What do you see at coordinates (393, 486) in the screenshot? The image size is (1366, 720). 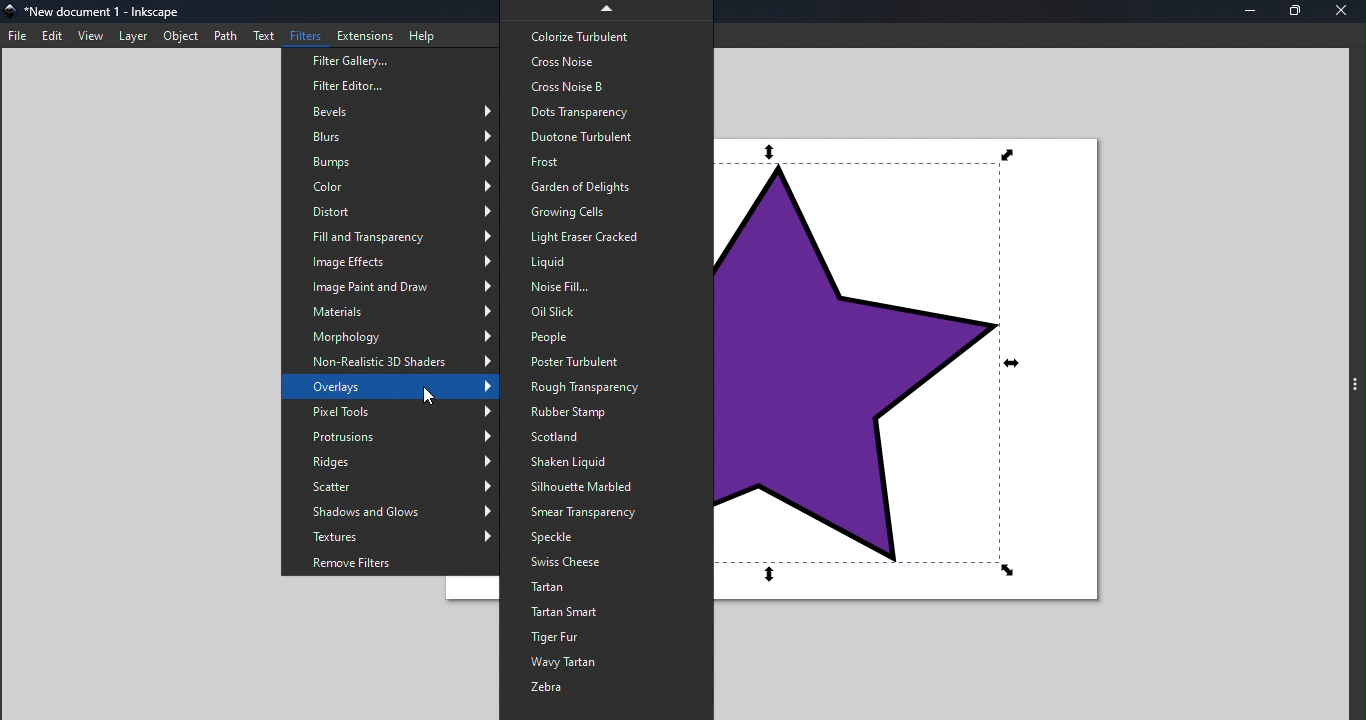 I see `Scatter` at bounding box center [393, 486].